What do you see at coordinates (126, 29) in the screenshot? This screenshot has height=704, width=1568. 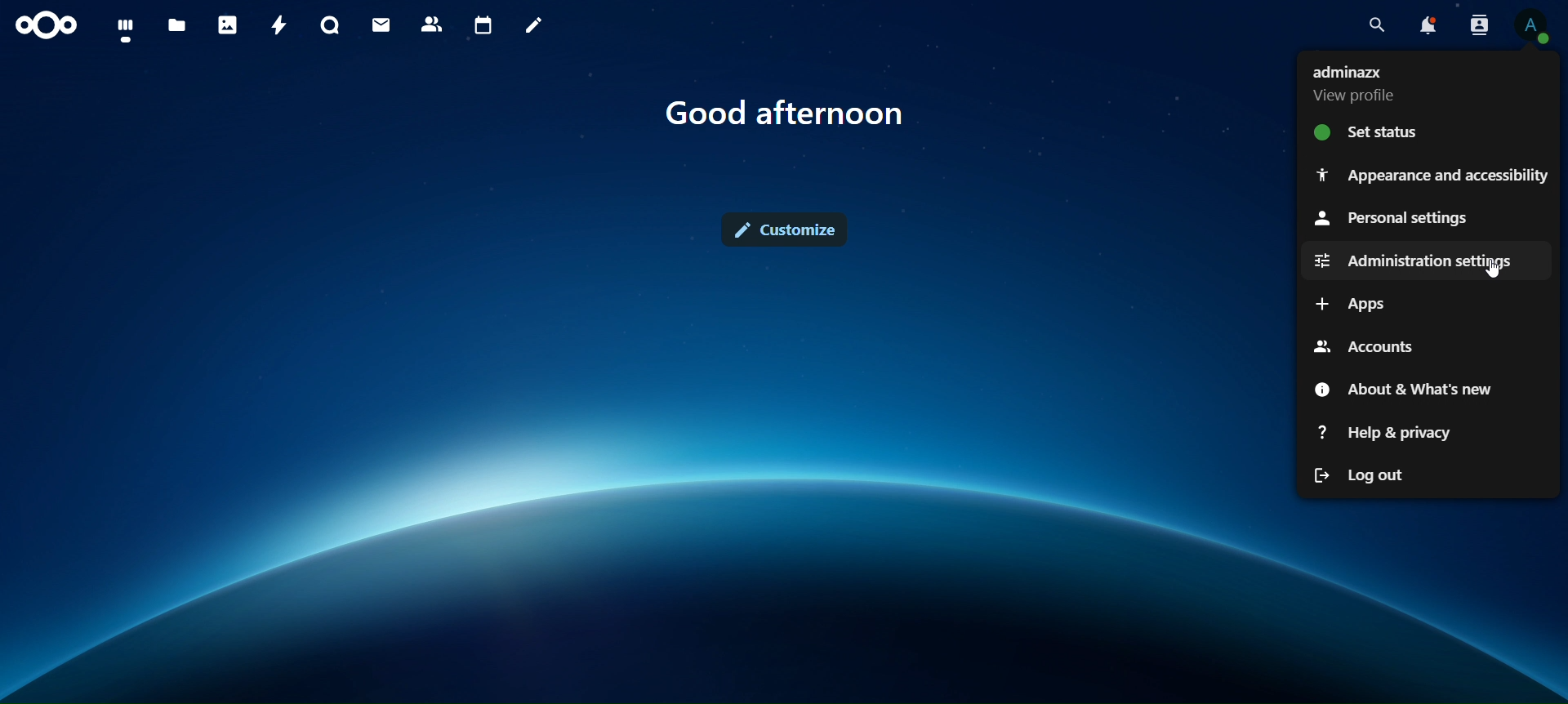 I see `dashboard` at bounding box center [126, 29].